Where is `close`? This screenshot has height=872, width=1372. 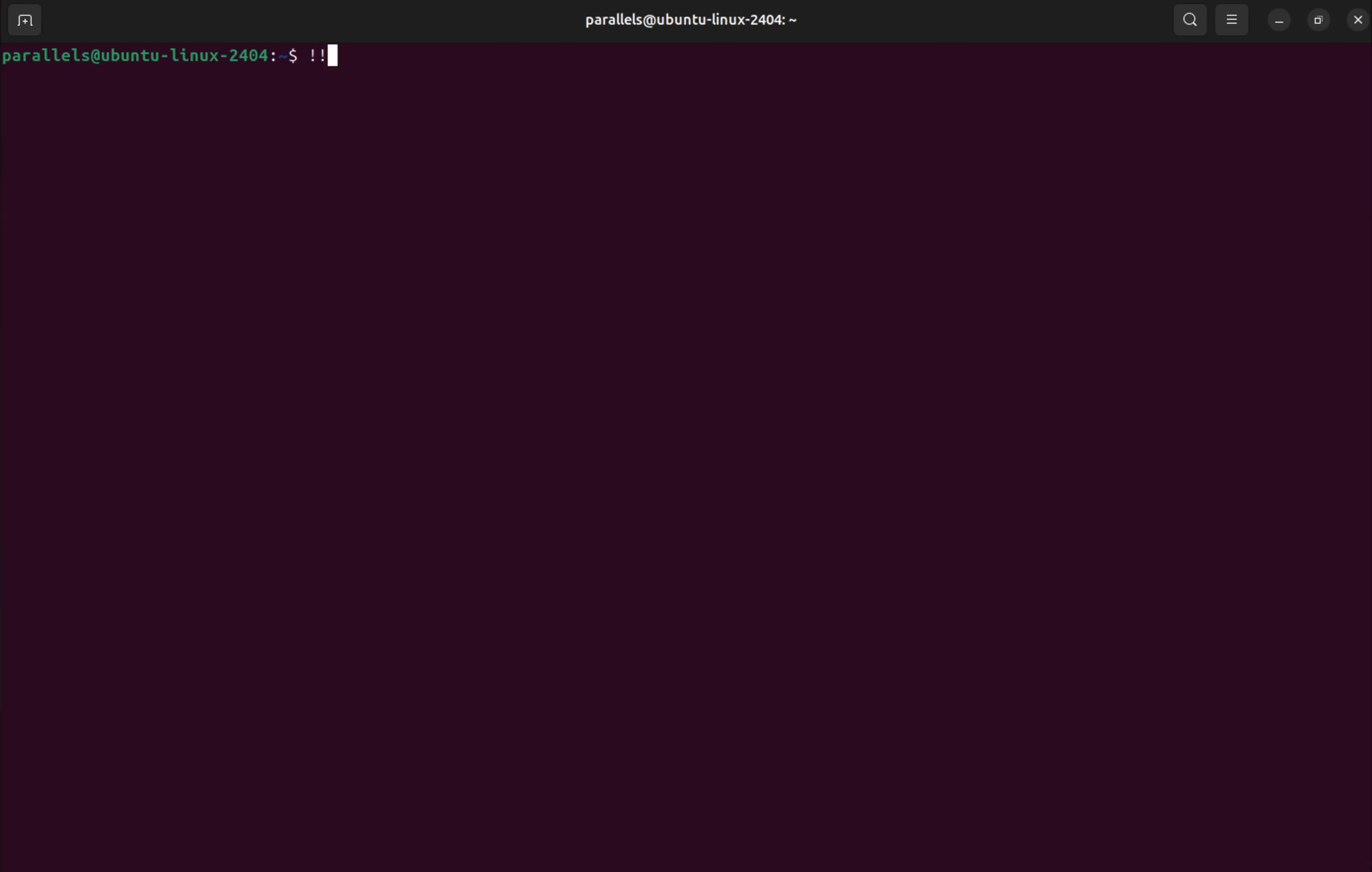 close is located at coordinates (1358, 20).